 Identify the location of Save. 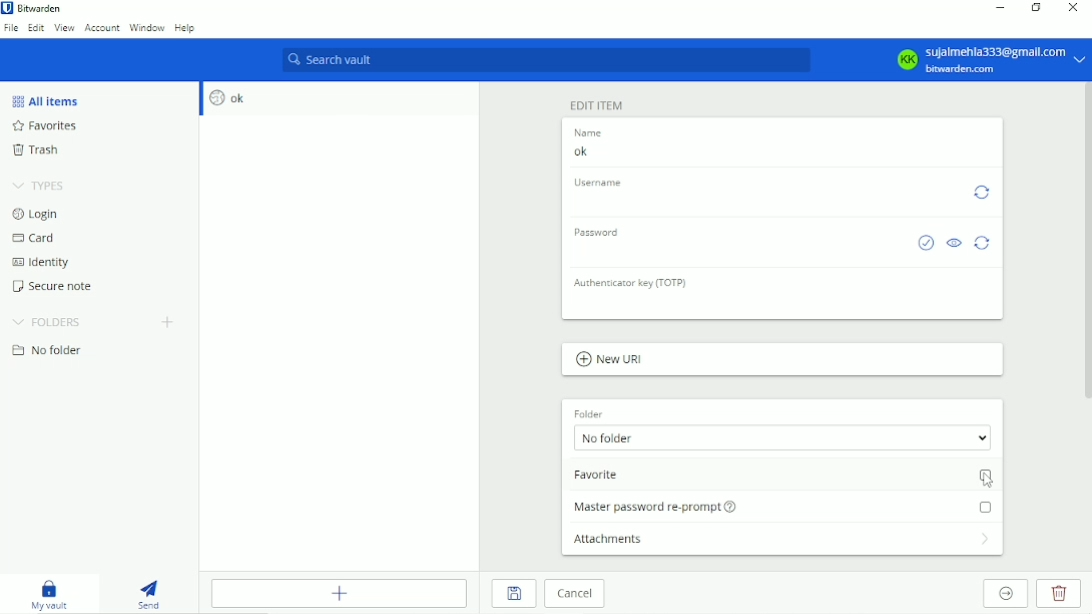
(514, 594).